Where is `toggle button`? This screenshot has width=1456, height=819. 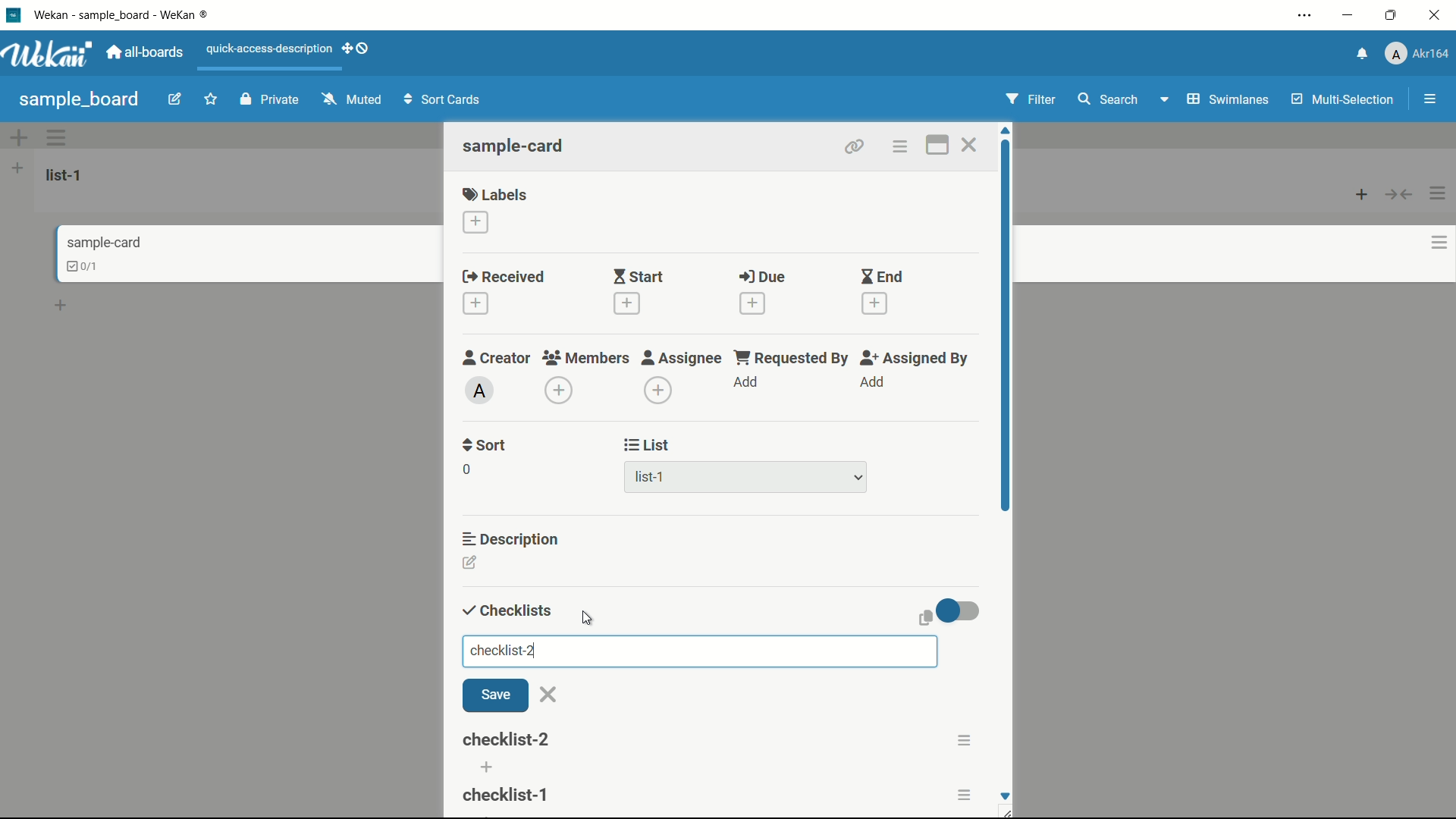
toggle button is located at coordinates (959, 610).